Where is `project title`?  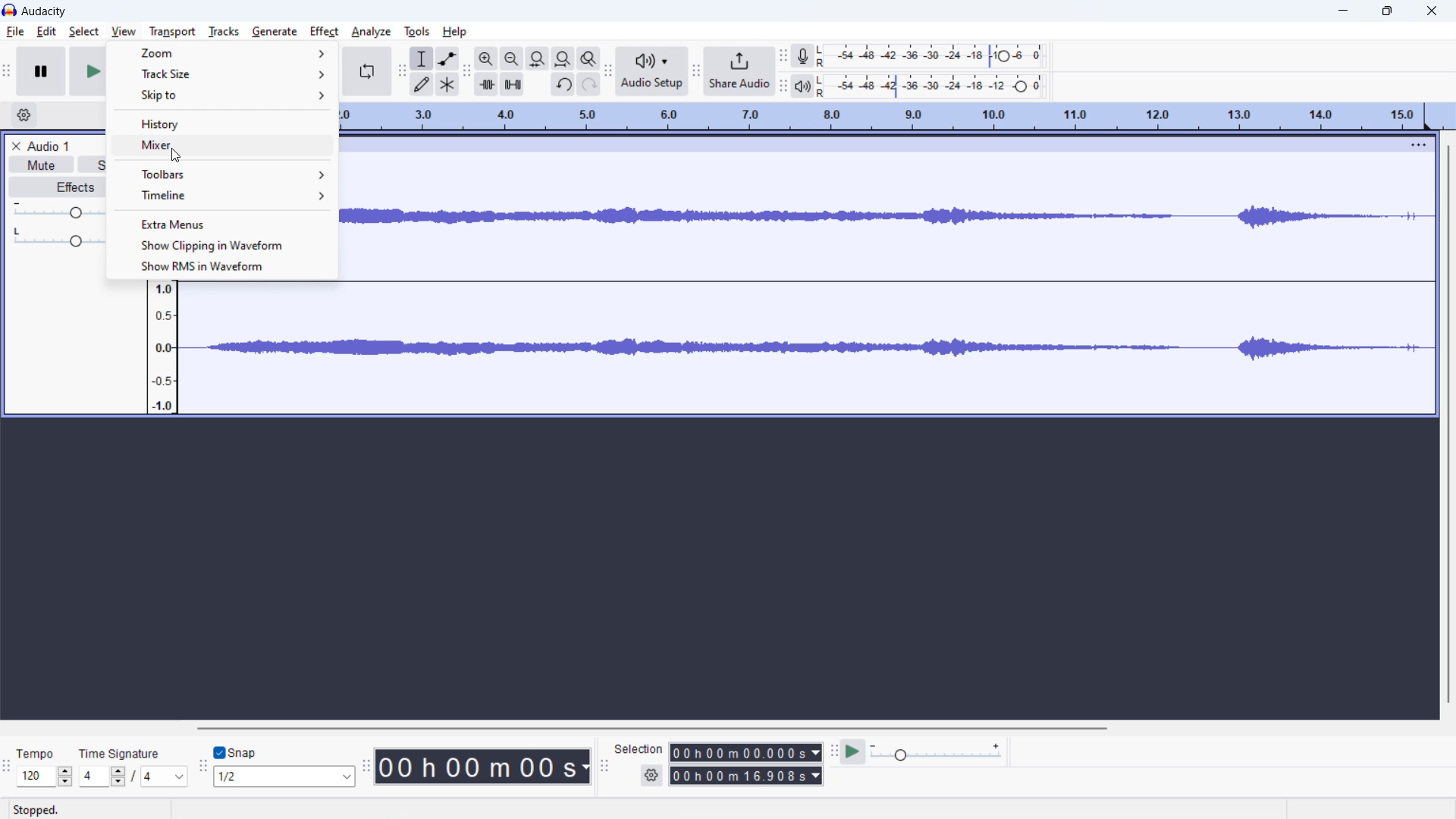 project title is located at coordinates (49, 146).